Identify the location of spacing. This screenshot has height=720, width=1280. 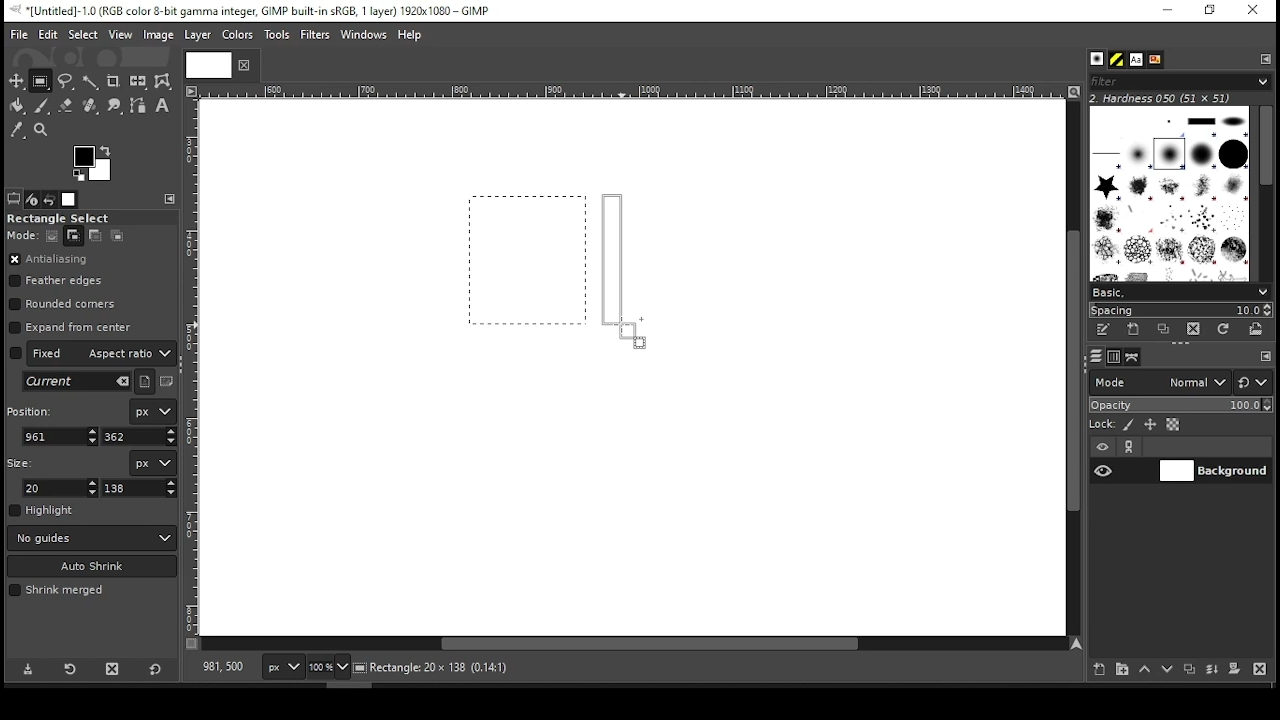
(1180, 310).